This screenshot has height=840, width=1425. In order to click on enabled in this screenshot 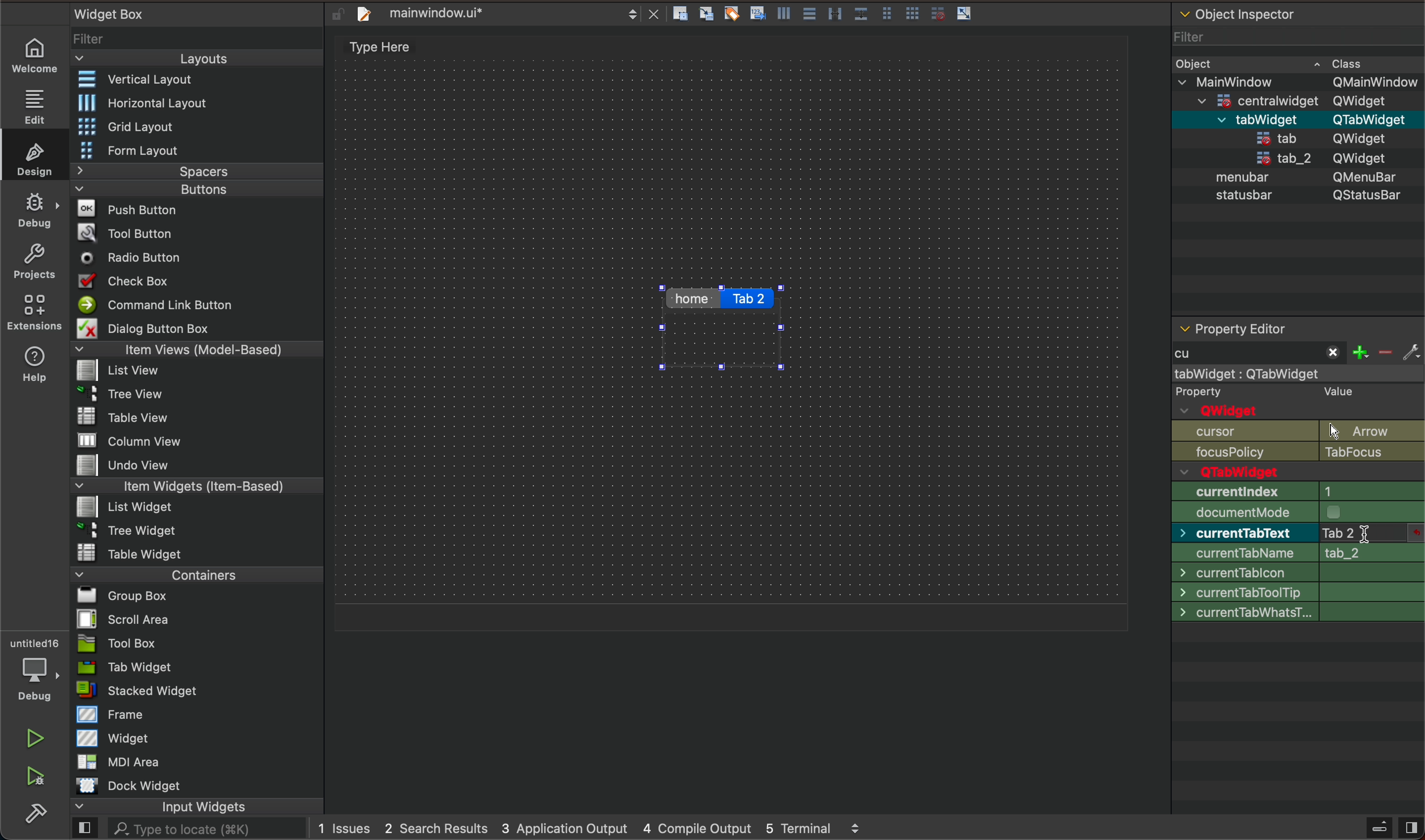, I will do `click(1295, 470)`.